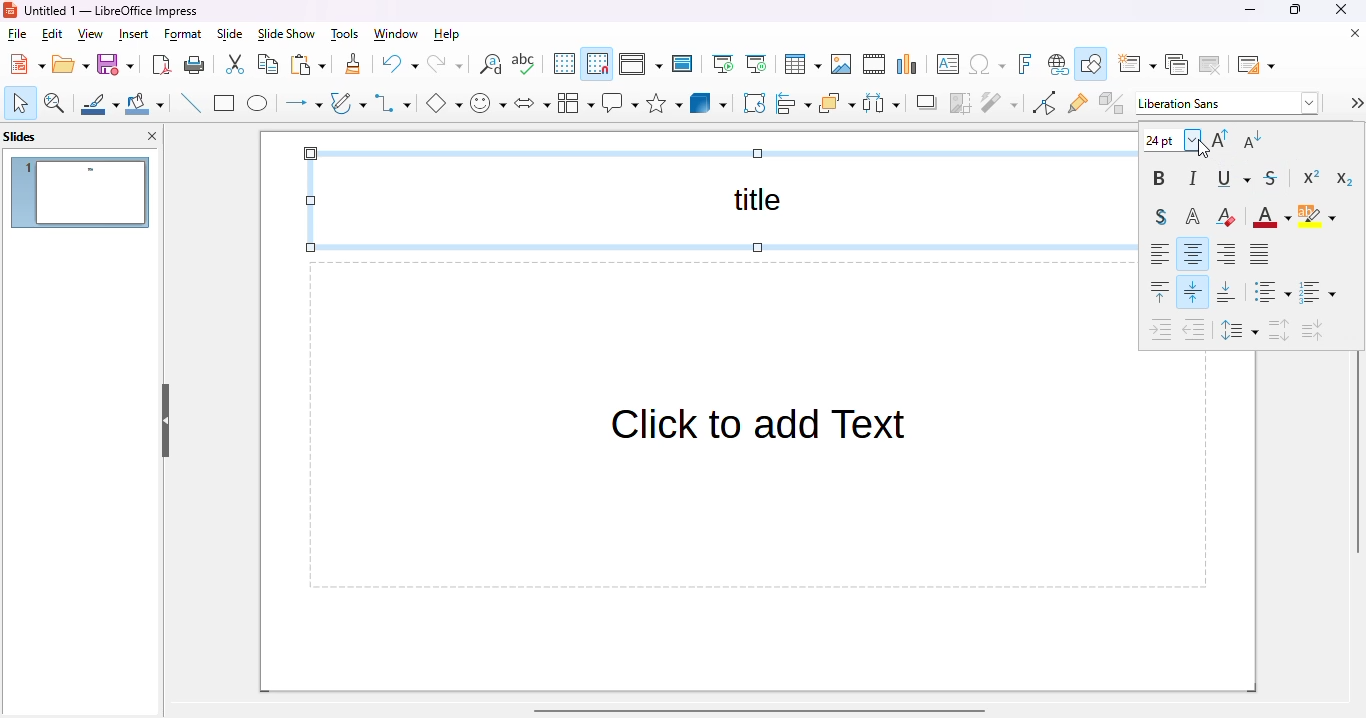 Image resolution: width=1366 pixels, height=718 pixels. Describe the element at coordinates (803, 64) in the screenshot. I see `table` at that location.